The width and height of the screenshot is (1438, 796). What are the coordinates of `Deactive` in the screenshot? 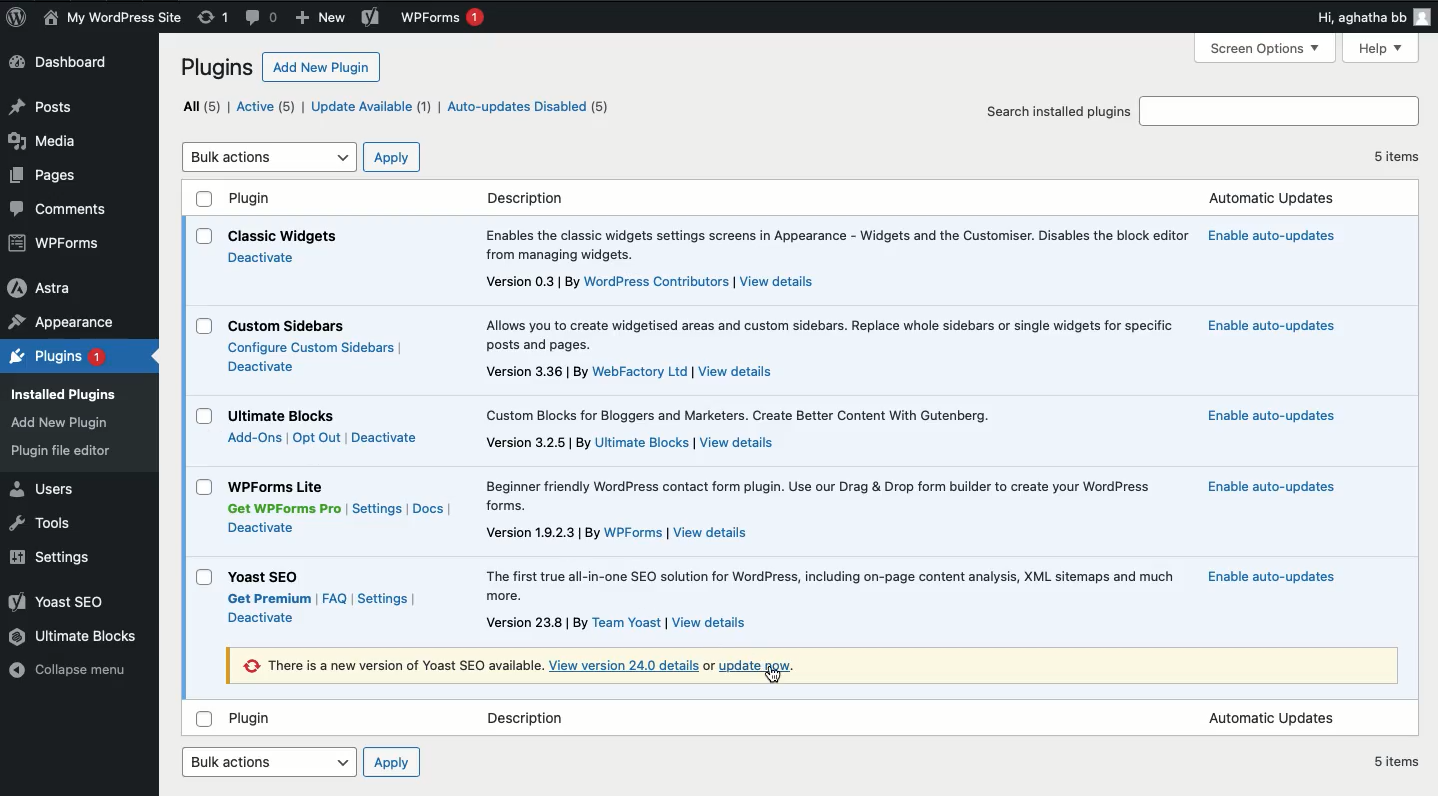 It's located at (263, 527).